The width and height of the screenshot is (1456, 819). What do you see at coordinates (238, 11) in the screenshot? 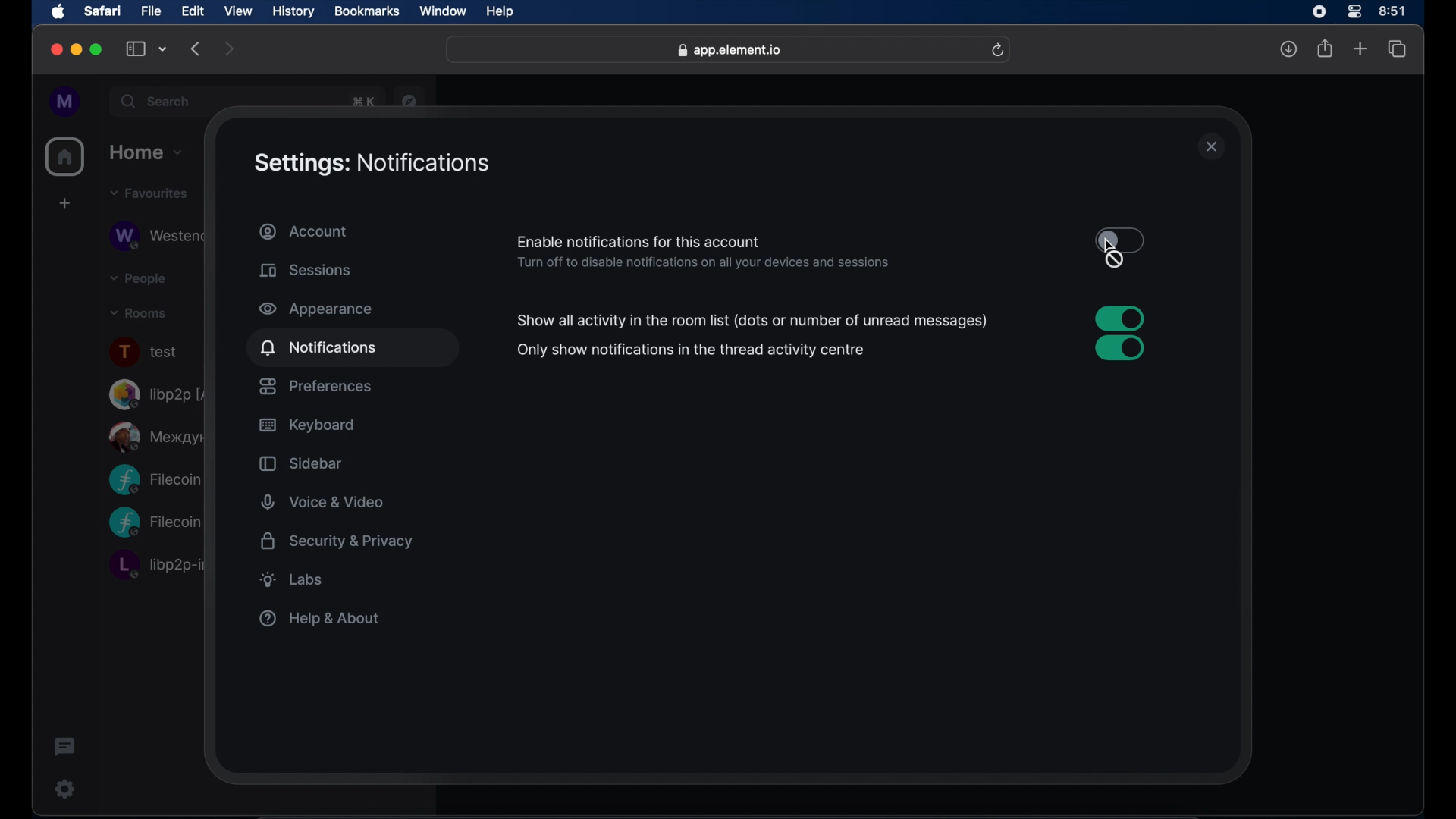
I see `view` at bounding box center [238, 11].